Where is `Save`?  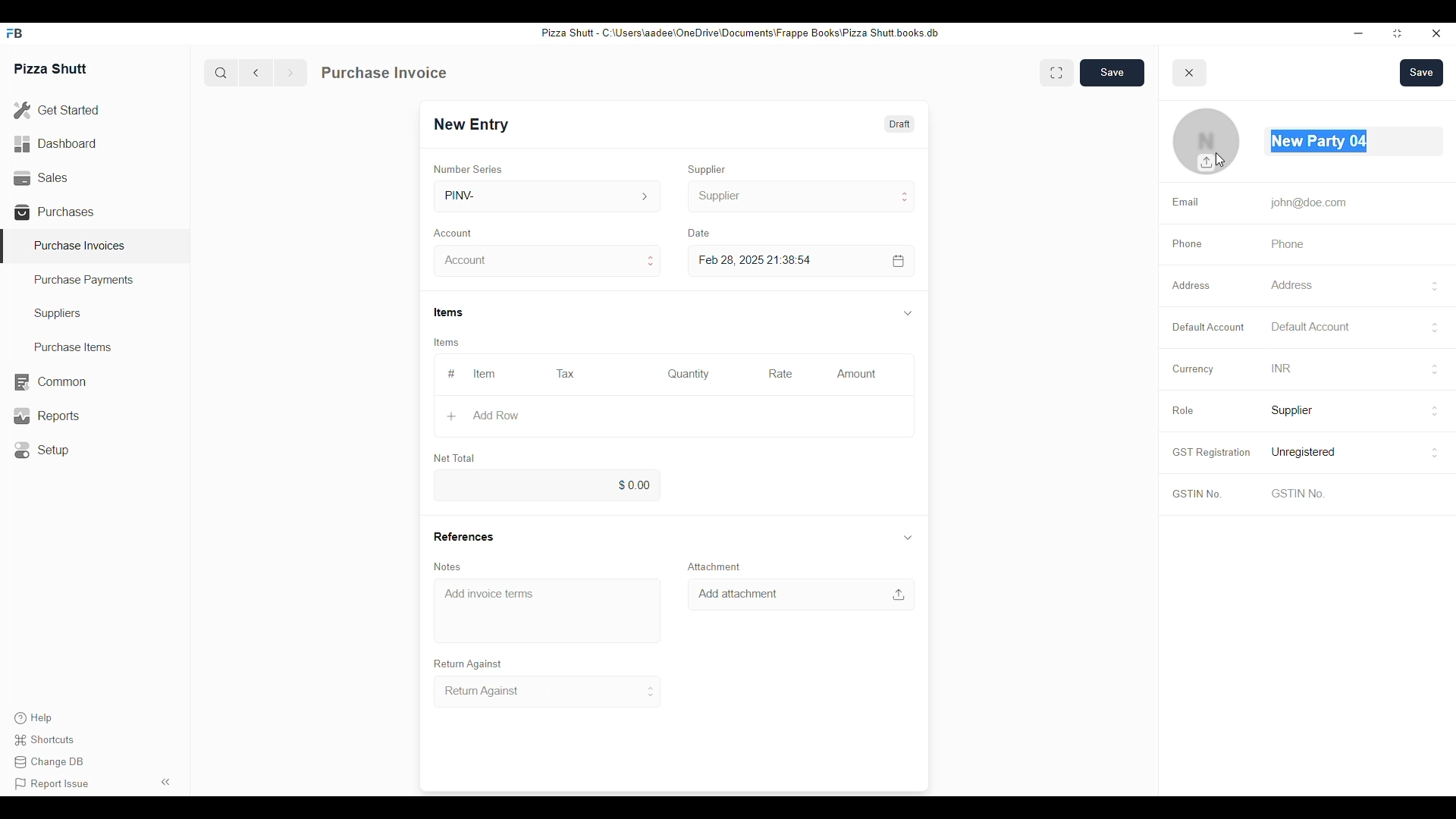
Save is located at coordinates (1422, 73).